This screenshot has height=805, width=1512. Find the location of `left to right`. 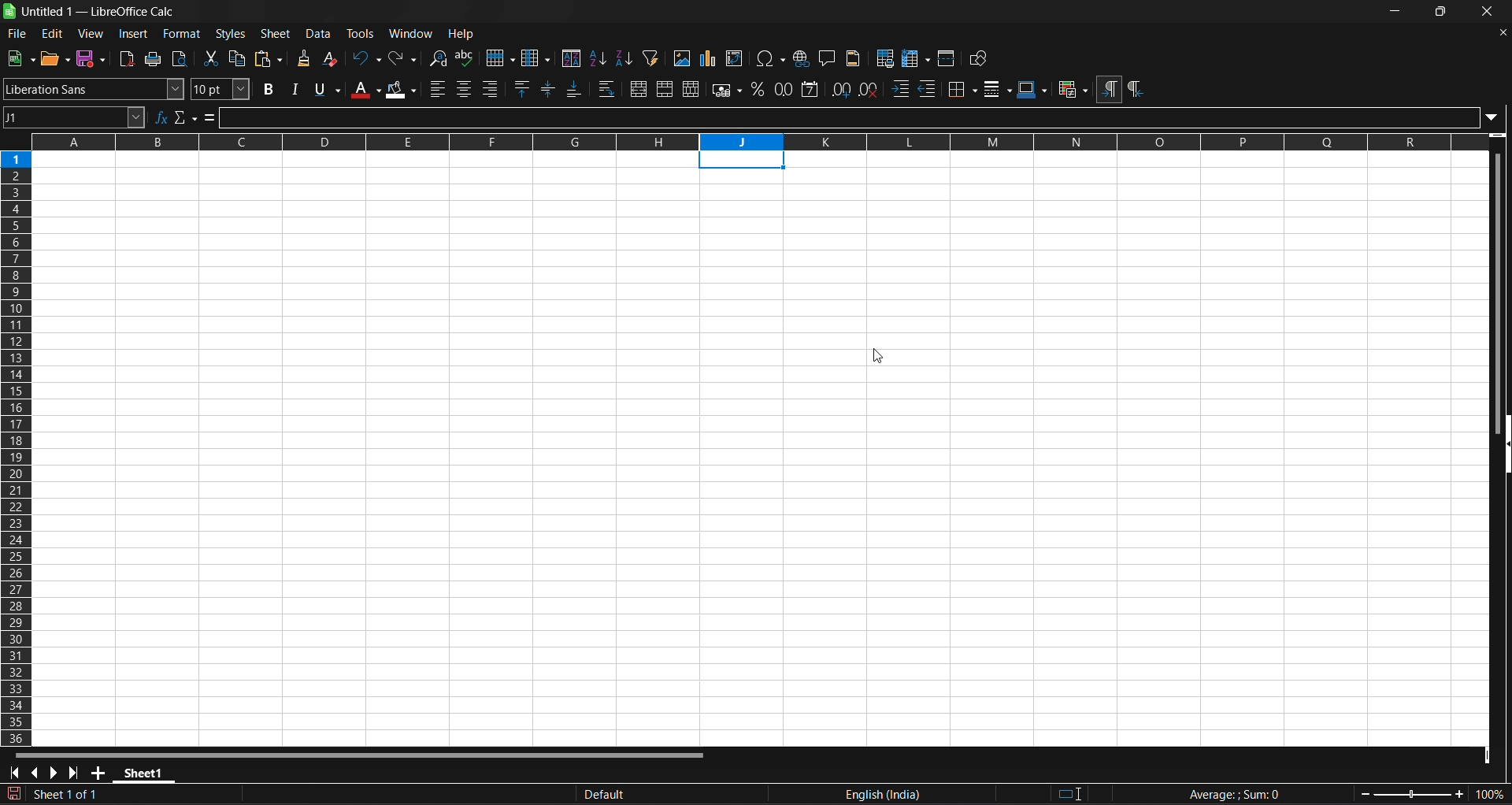

left to right is located at coordinates (1109, 91).